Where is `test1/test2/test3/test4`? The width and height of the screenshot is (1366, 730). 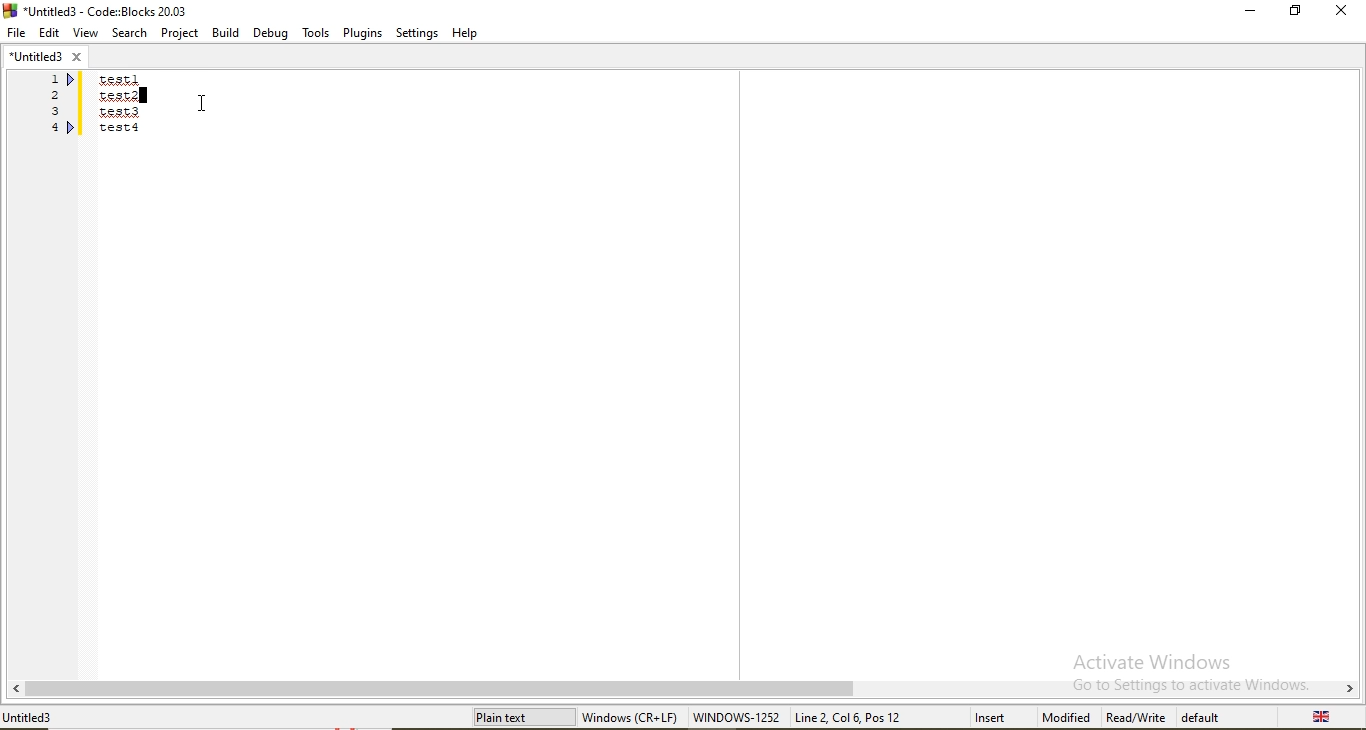
test1/test2/test3/test4 is located at coordinates (121, 106).